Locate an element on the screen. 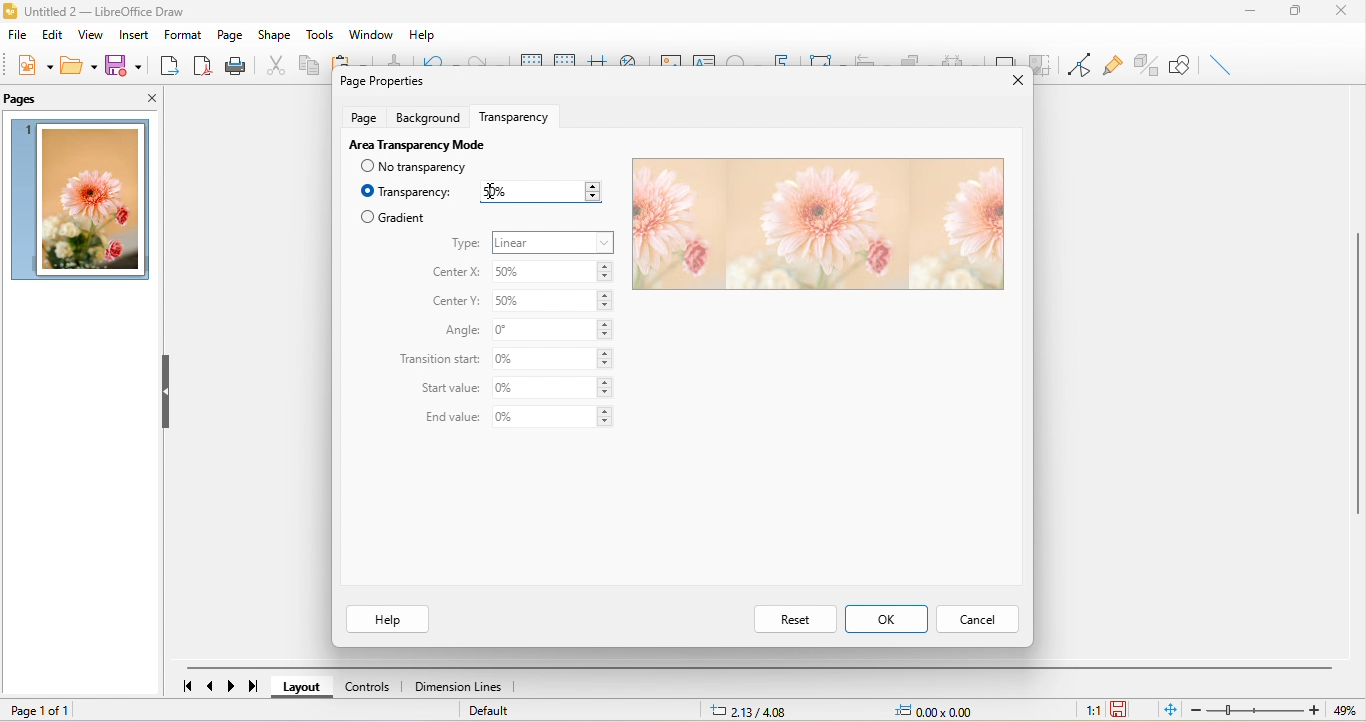 This screenshot has height=722, width=1366. page 1 of 1 is located at coordinates (79, 712).